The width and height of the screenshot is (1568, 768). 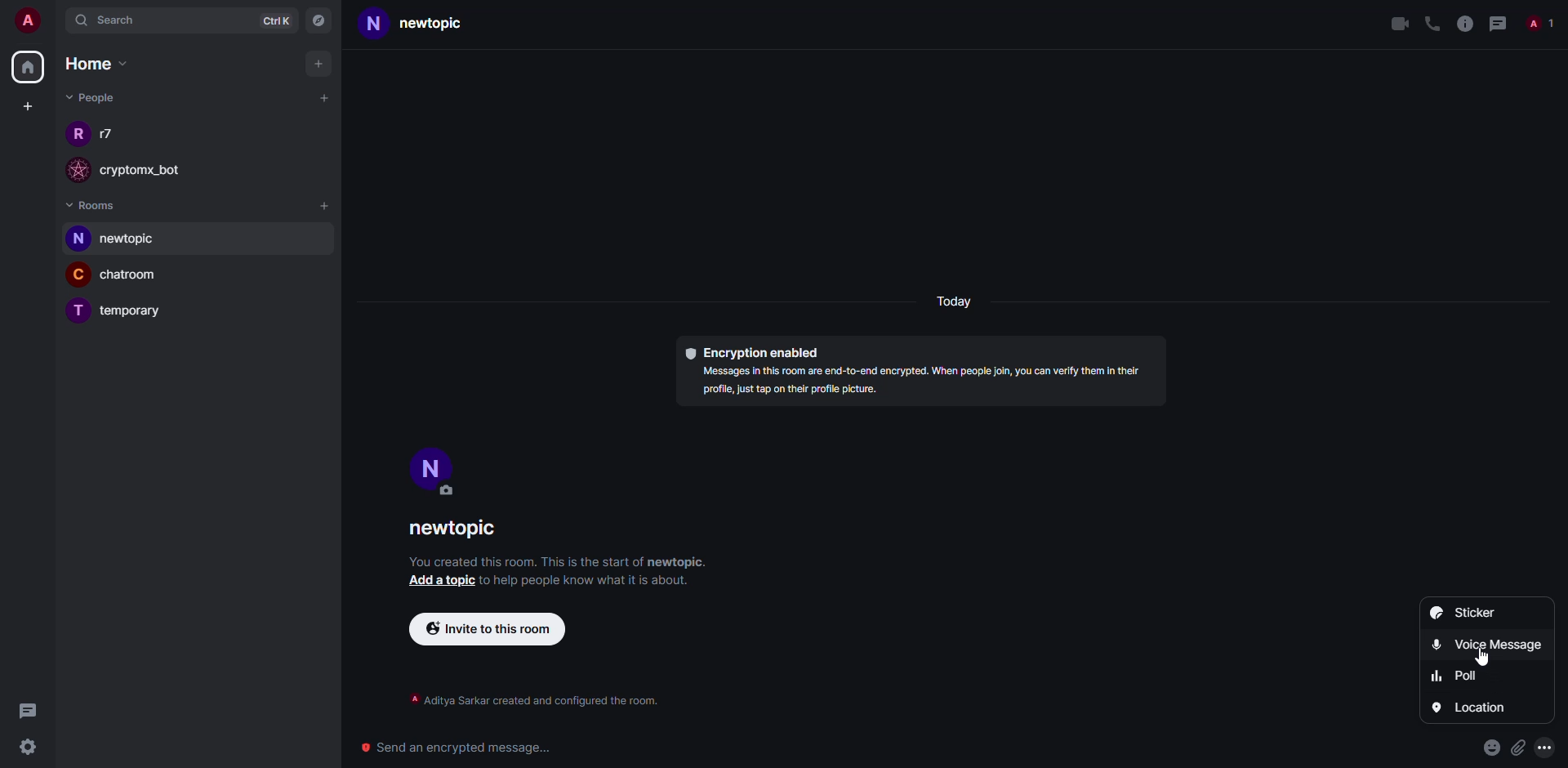 What do you see at coordinates (136, 239) in the screenshot?
I see `room` at bounding box center [136, 239].